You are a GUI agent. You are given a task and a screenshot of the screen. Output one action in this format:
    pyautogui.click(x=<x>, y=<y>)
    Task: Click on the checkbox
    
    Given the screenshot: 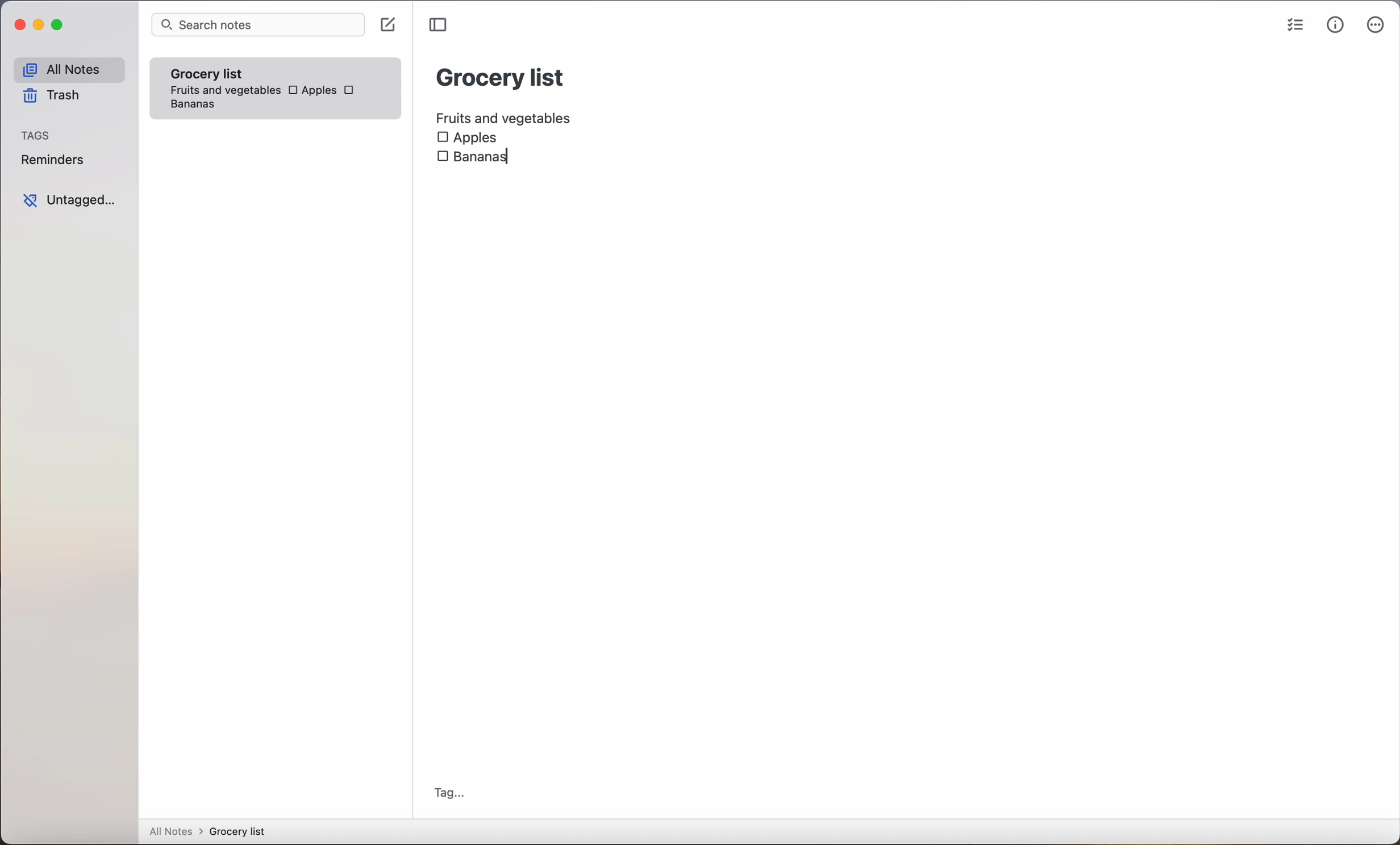 What is the action you would take?
    pyautogui.click(x=439, y=158)
    